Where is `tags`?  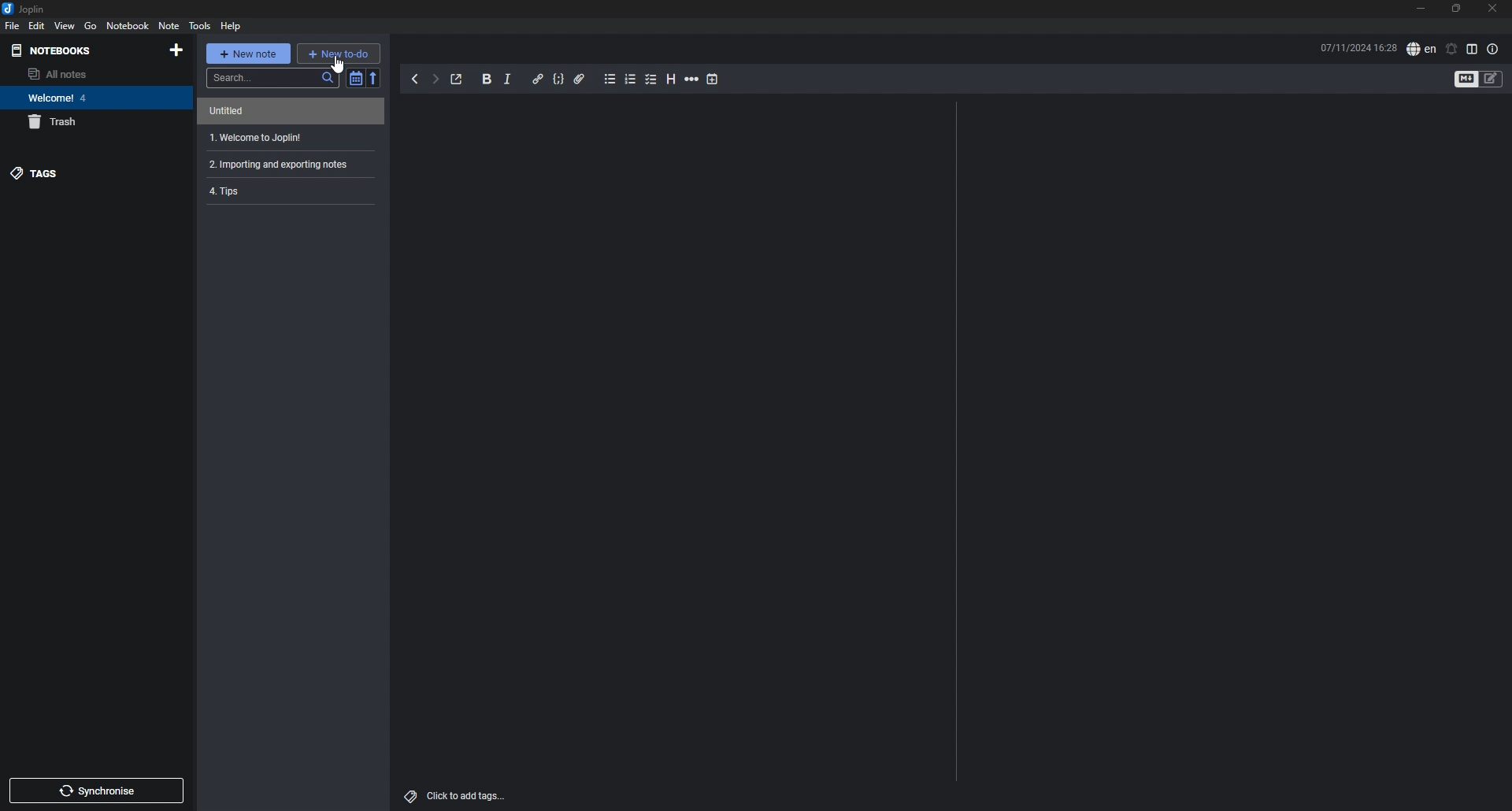 tags is located at coordinates (74, 172).